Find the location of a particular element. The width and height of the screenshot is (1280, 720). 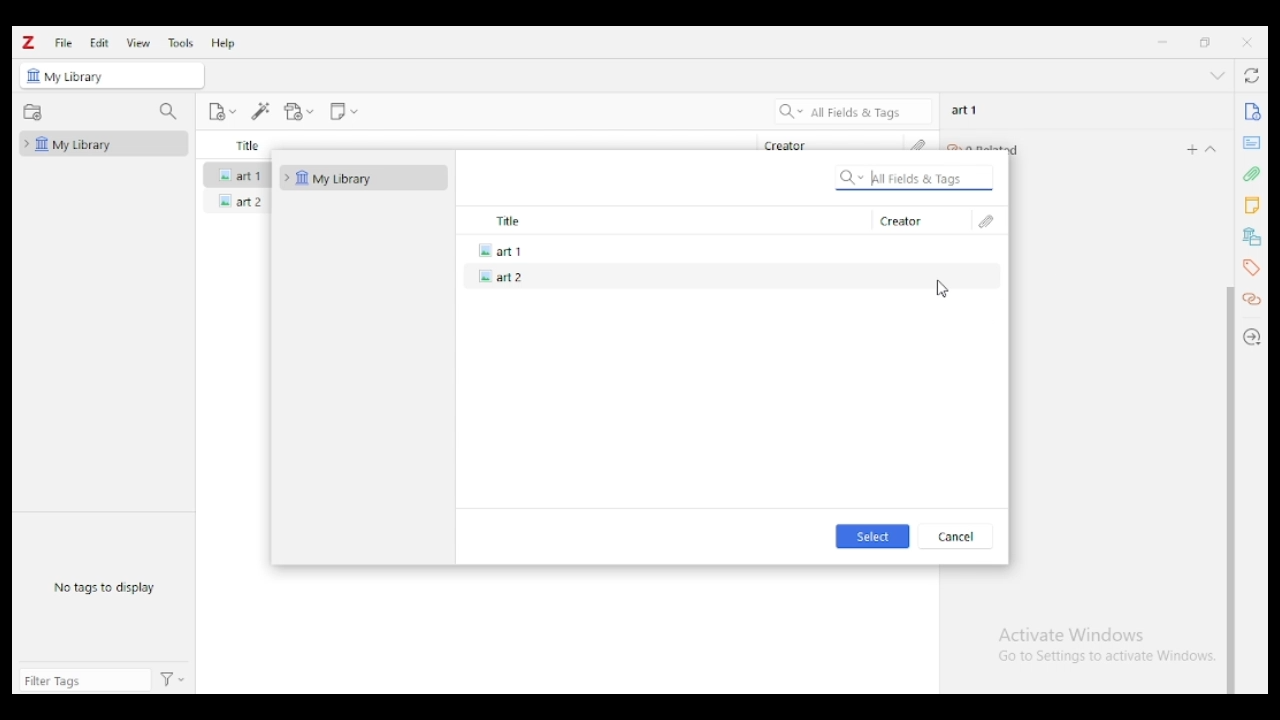

maximize is located at coordinates (1206, 43).